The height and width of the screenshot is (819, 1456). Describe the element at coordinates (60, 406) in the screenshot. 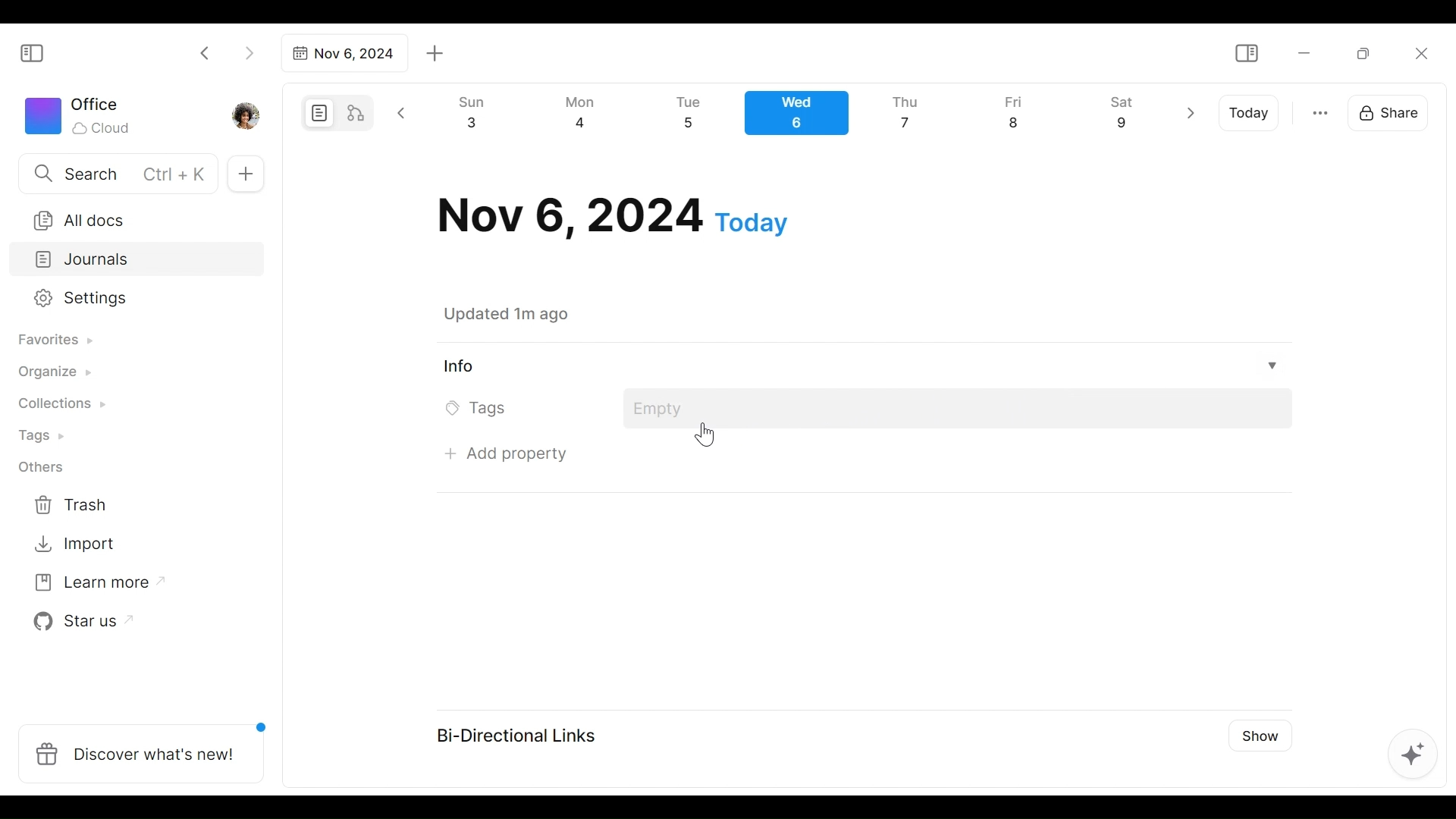

I see `Collections` at that location.